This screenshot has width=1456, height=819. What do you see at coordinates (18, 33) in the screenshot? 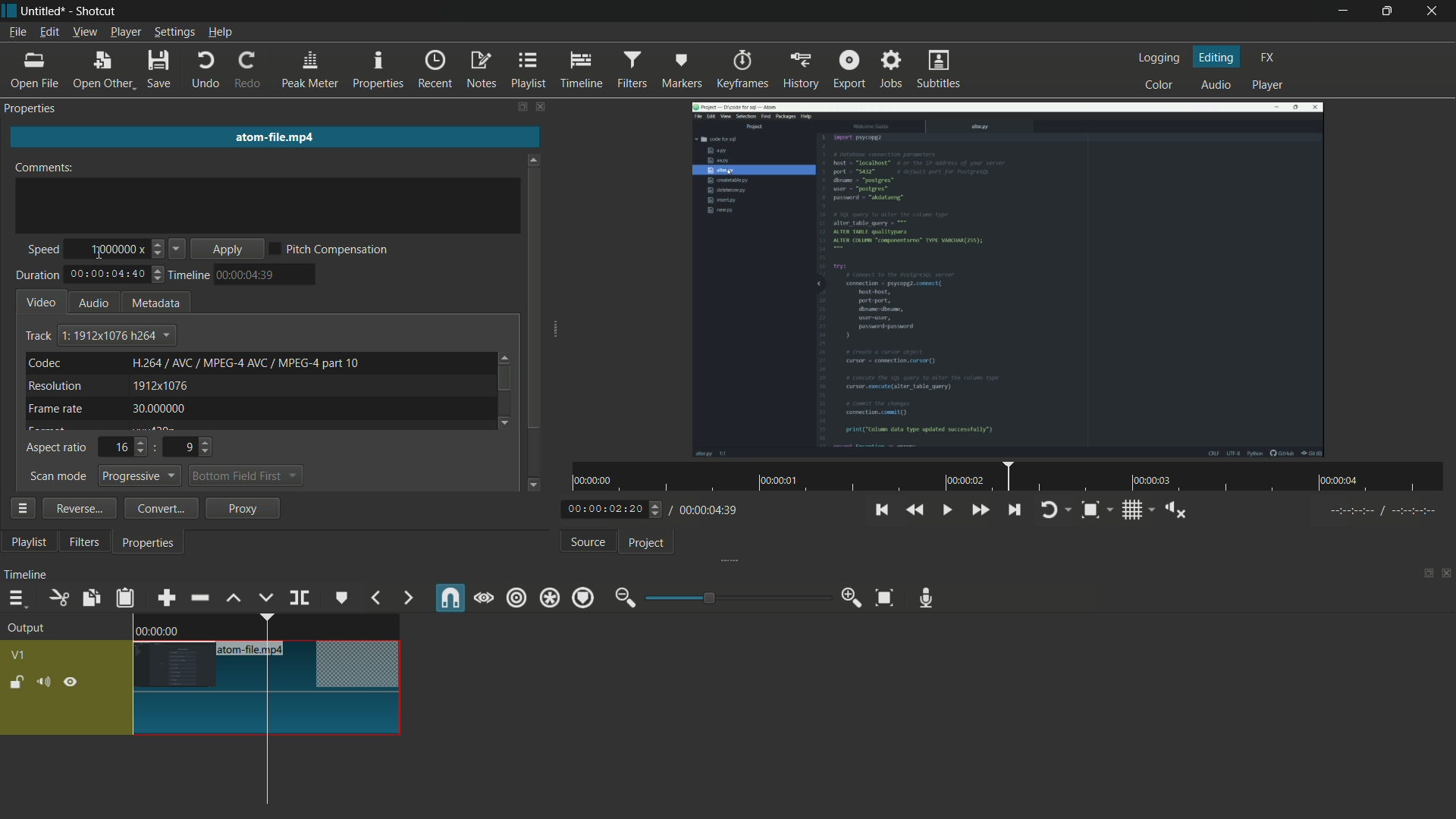
I see `file menu` at bounding box center [18, 33].